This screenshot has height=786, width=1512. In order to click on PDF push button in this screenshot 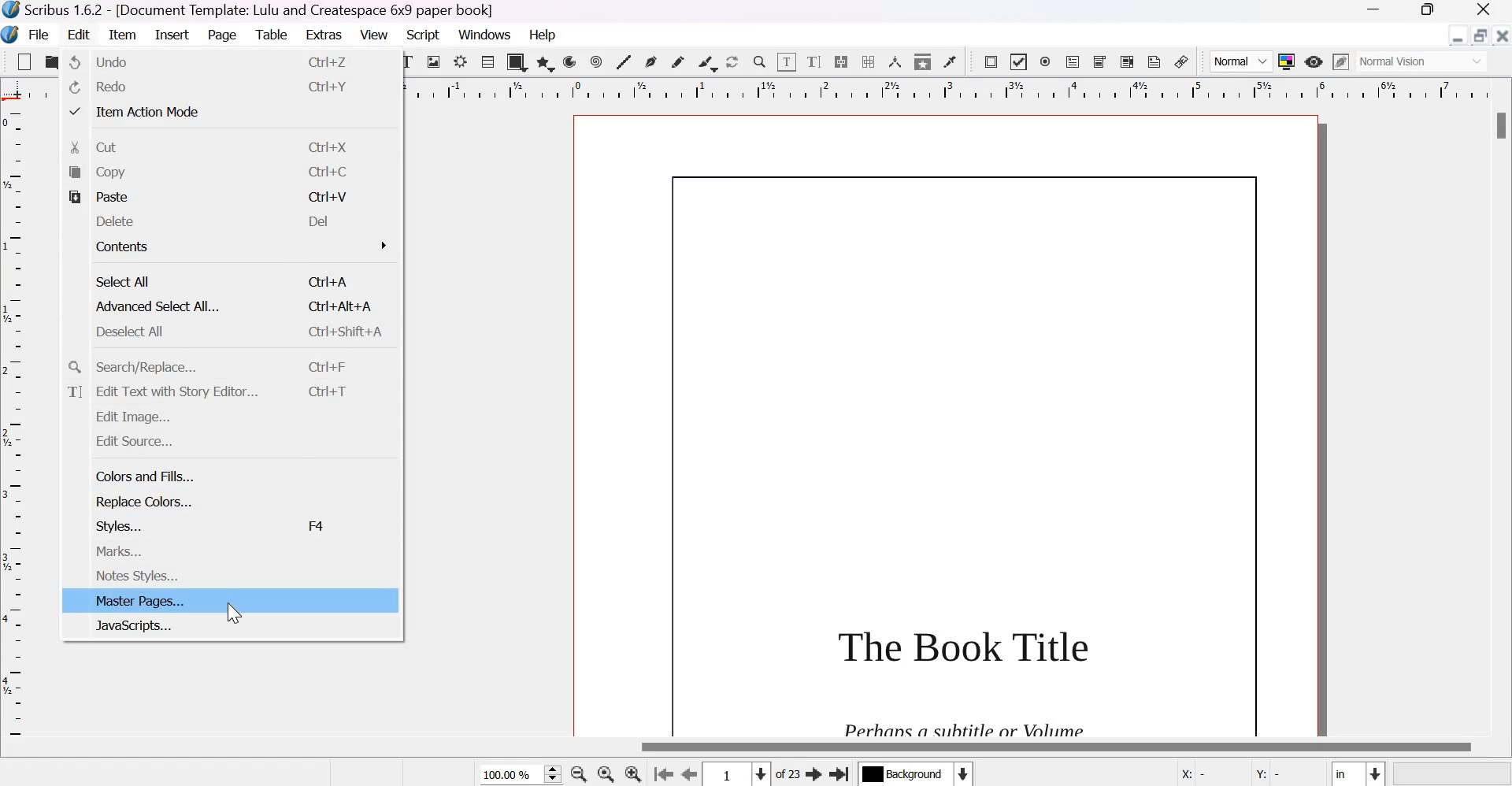, I will do `click(989, 61)`.